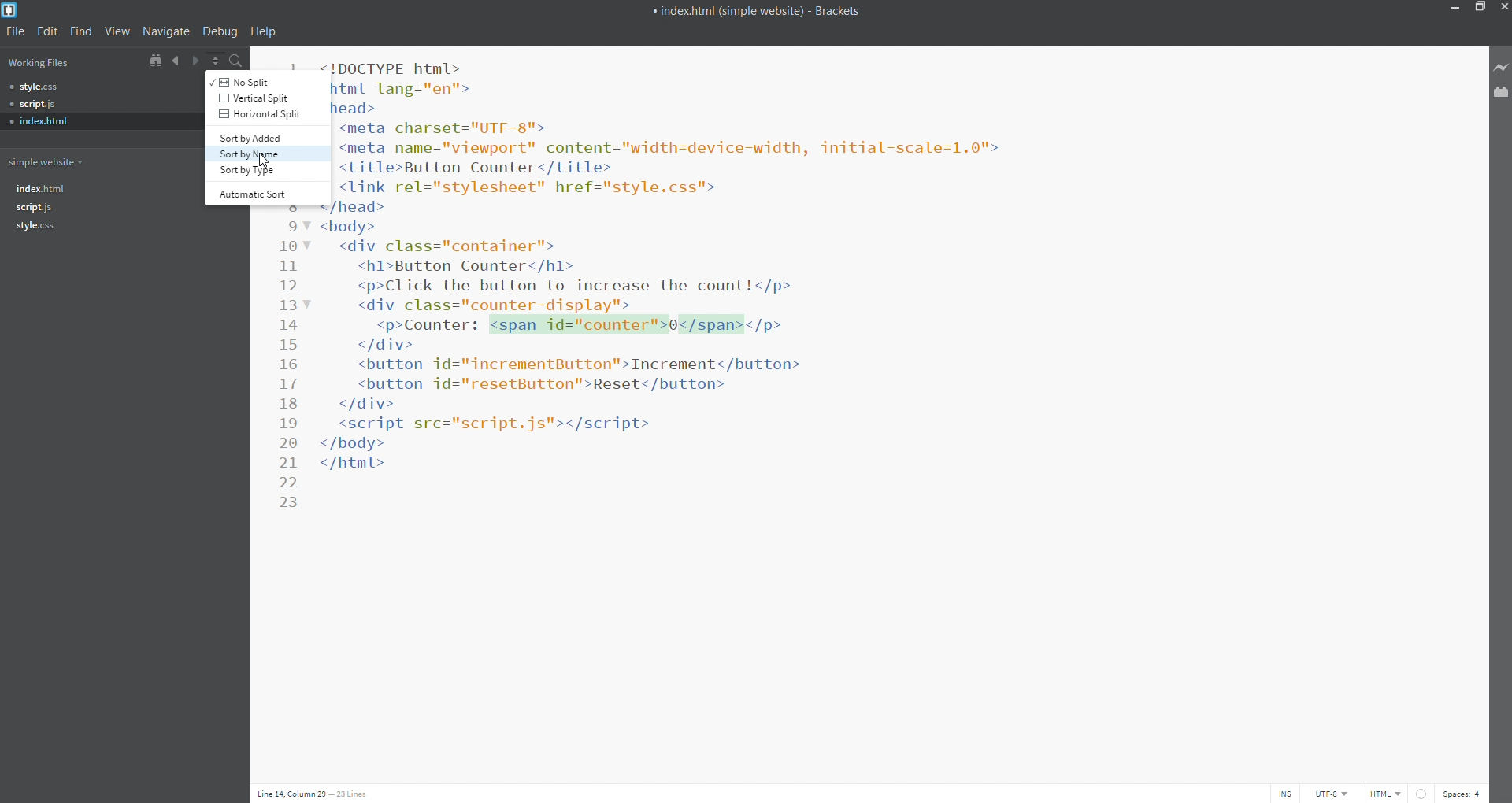  Describe the element at coordinates (222, 31) in the screenshot. I see `debug` at that location.